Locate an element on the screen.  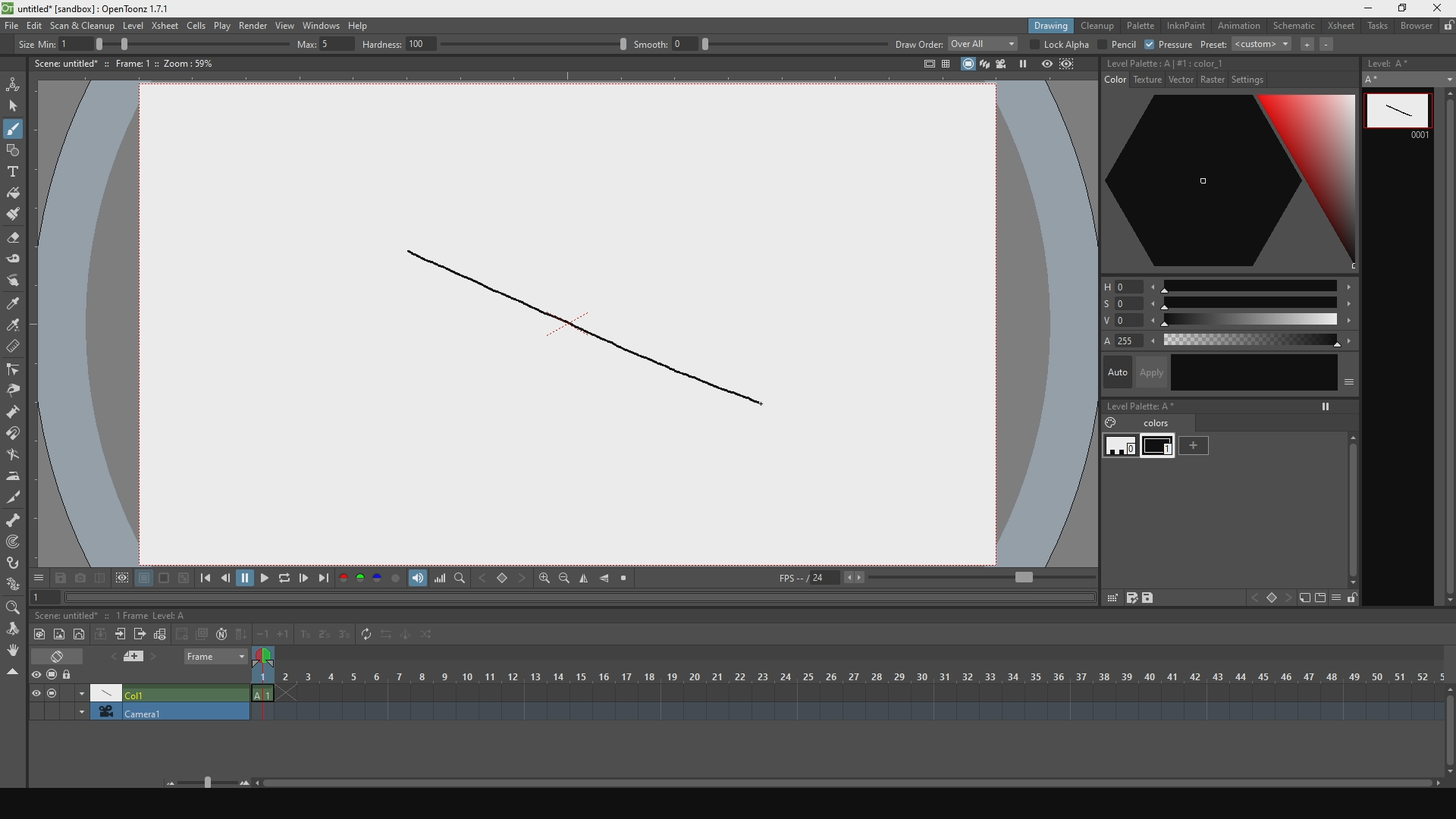
icon is located at coordinates (1319, 598).